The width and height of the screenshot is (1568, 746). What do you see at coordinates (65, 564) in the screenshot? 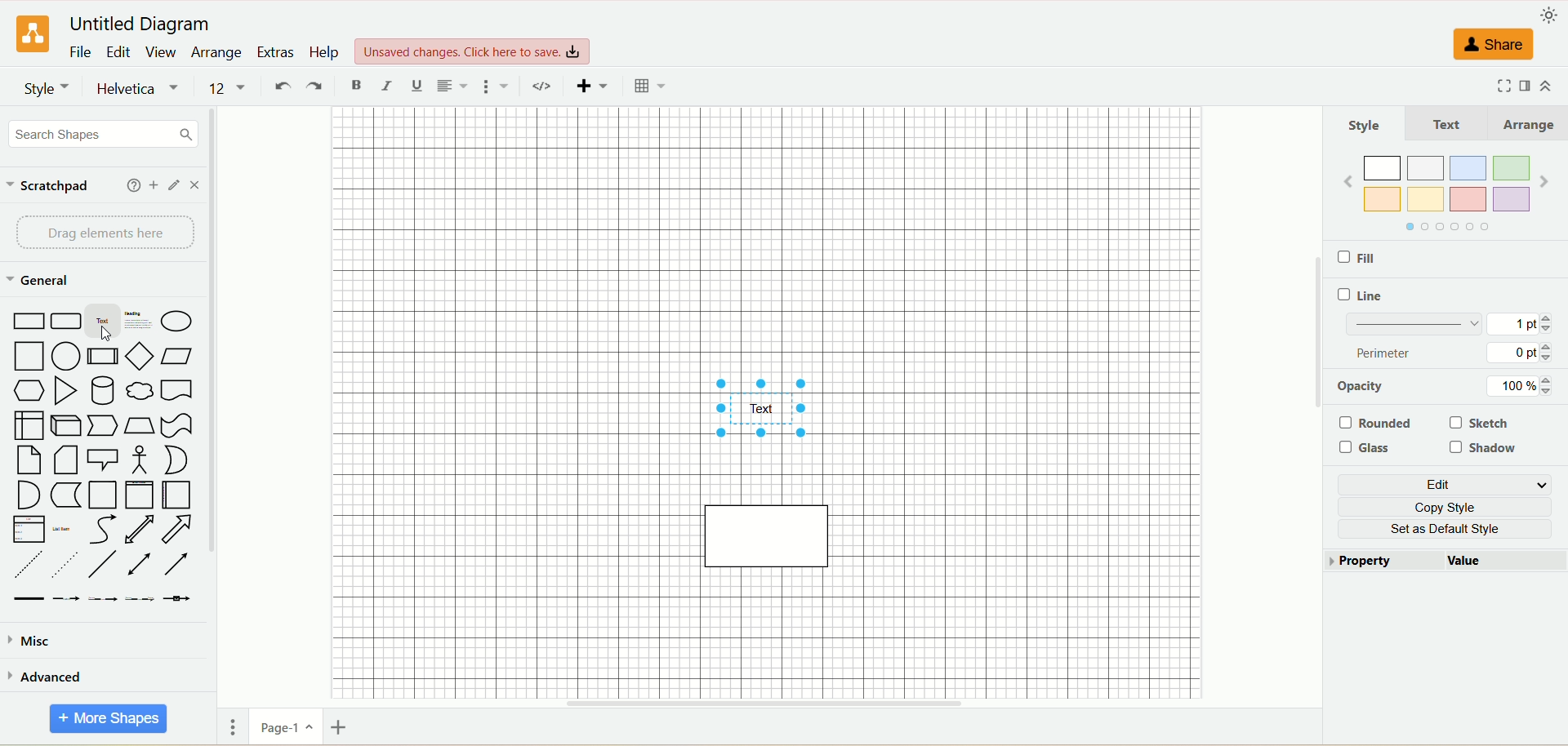
I see `dotted line` at bounding box center [65, 564].